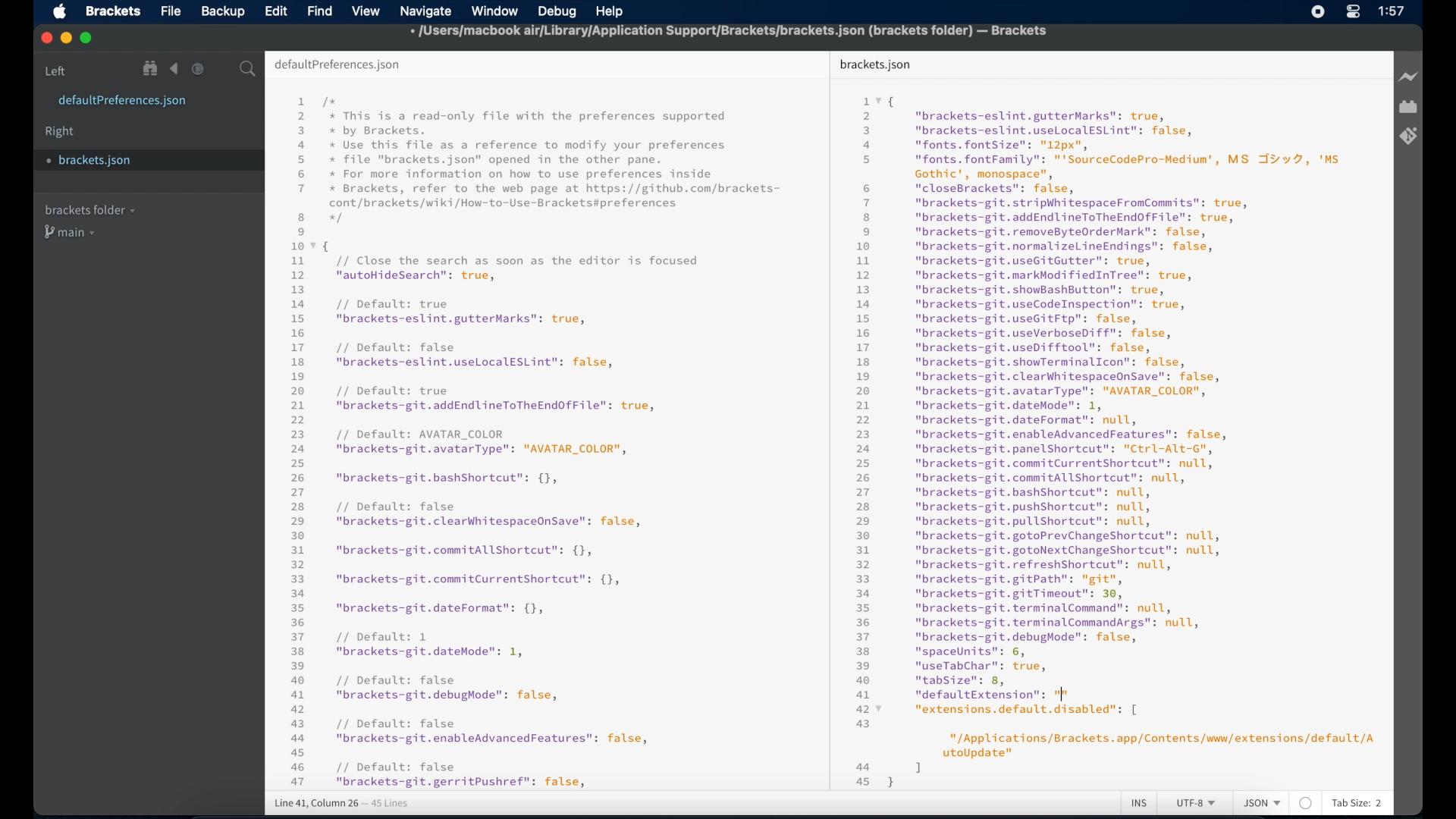  Describe the element at coordinates (114, 11) in the screenshot. I see `brackets` at that location.